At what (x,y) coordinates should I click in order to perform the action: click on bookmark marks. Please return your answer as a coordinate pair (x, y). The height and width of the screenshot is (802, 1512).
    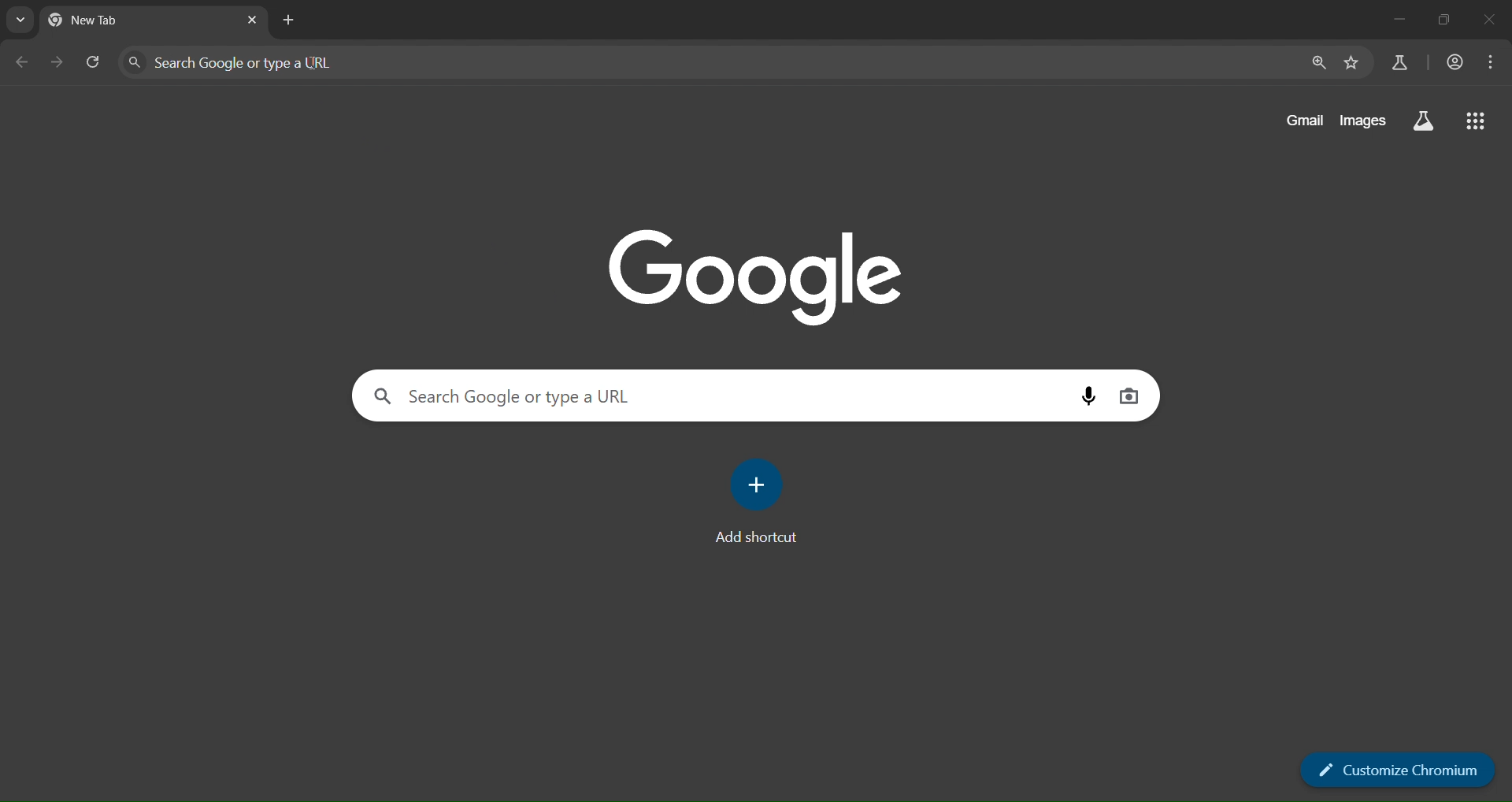
    Looking at the image, I should click on (1354, 63).